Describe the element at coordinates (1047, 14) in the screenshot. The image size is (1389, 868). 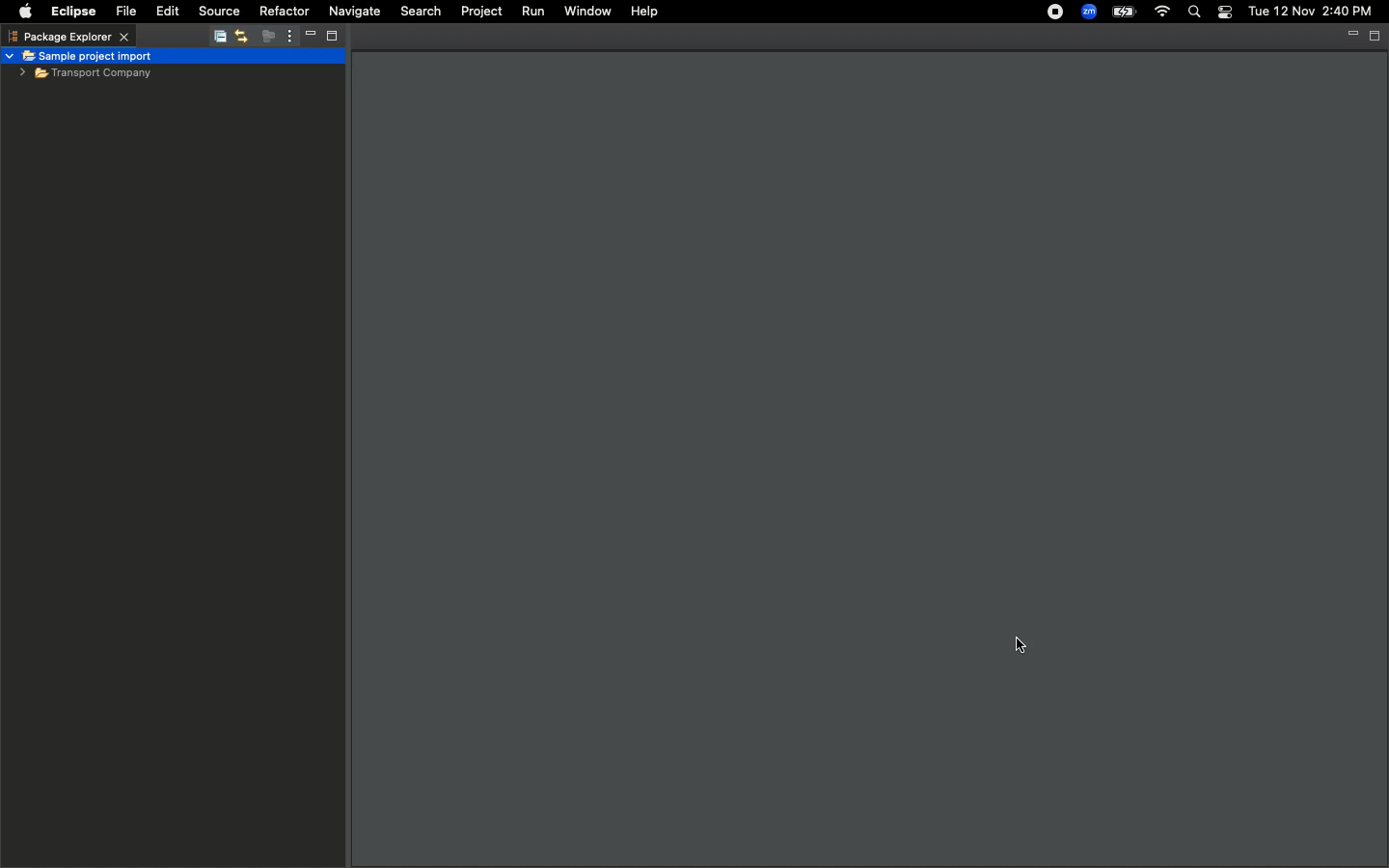
I see `Recording` at that location.